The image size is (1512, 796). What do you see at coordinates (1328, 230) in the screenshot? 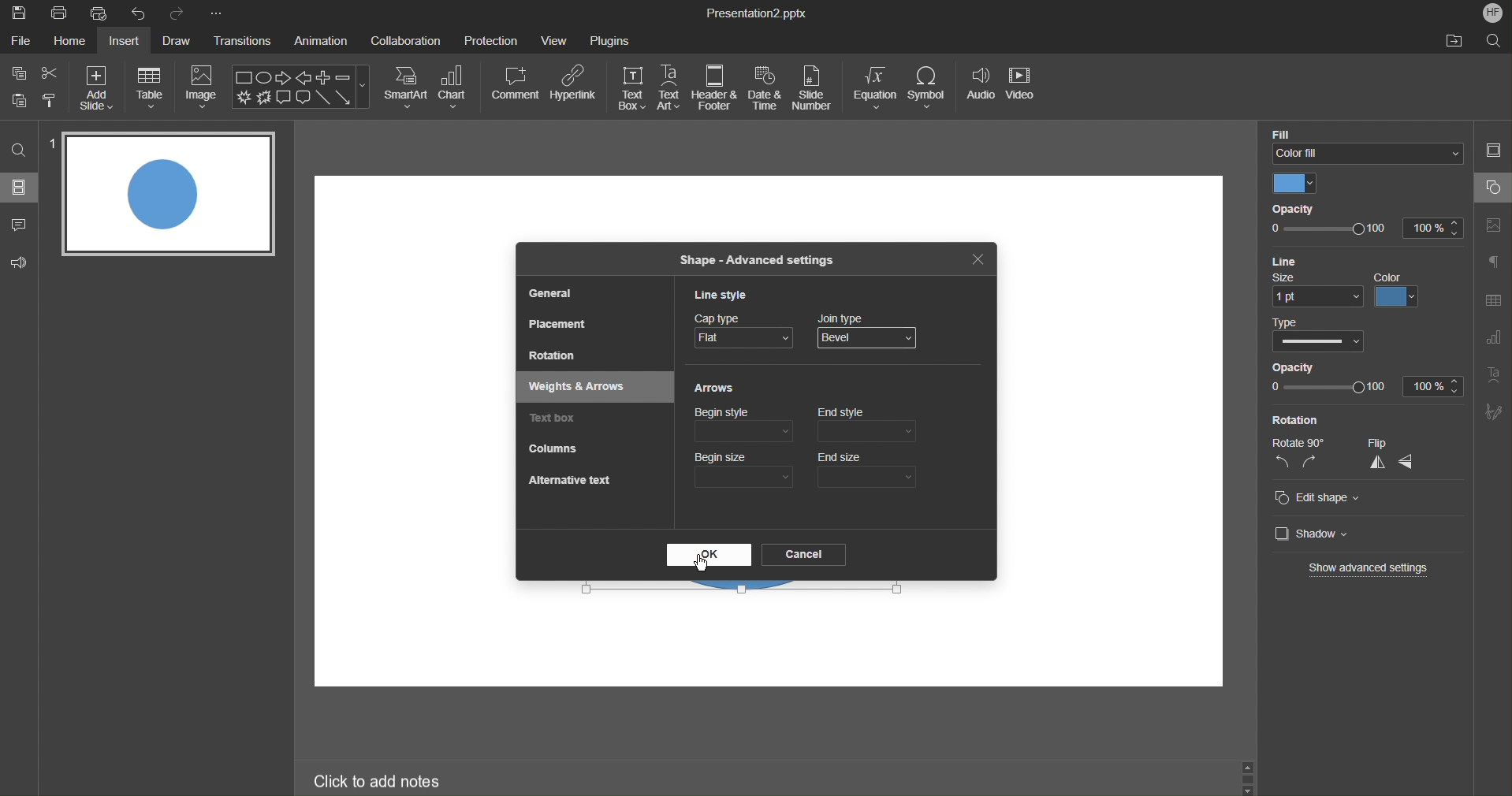
I see `opacity slider` at bounding box center [1328, 230].